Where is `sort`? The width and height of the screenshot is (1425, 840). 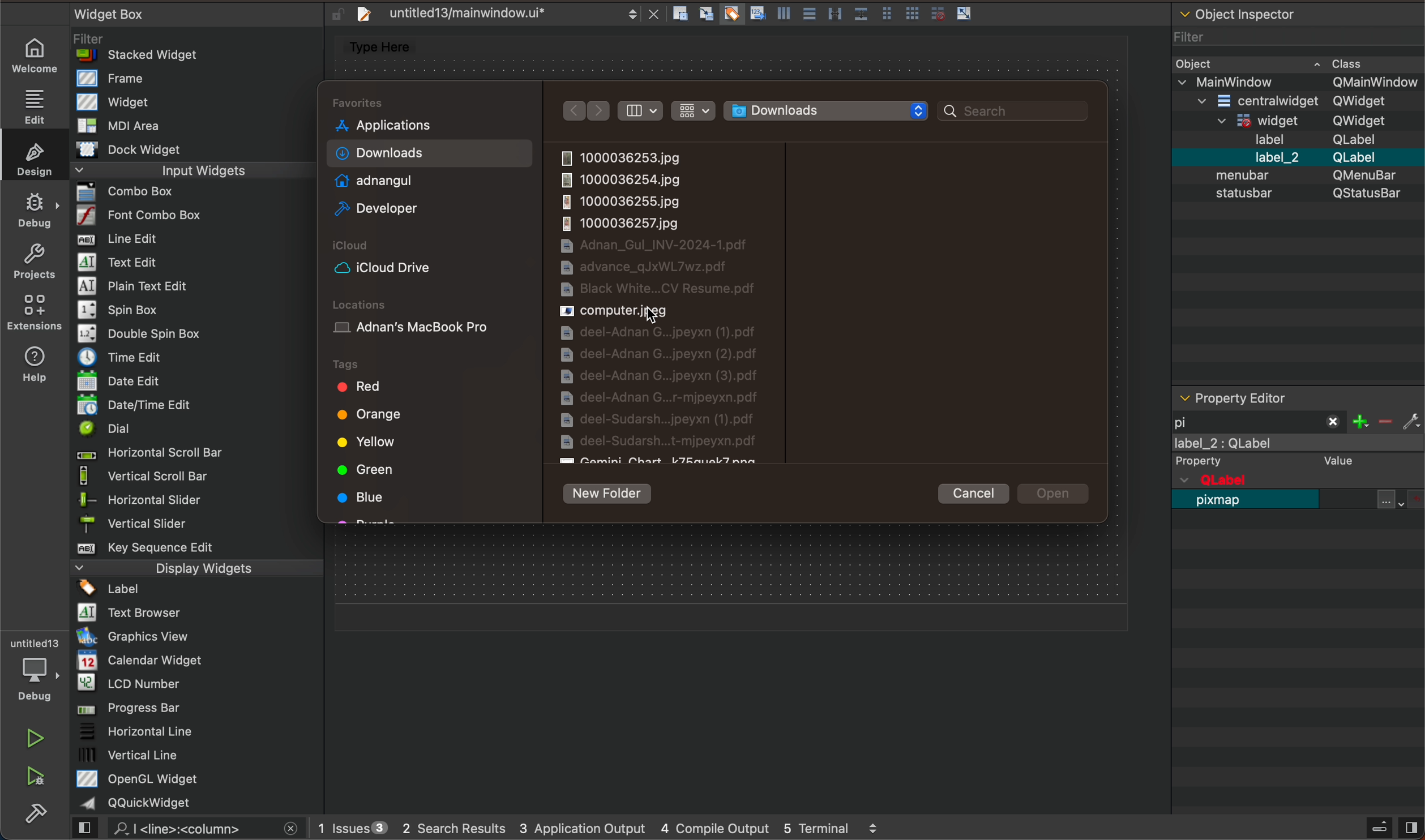 sort is located at coordinates (643, 110).